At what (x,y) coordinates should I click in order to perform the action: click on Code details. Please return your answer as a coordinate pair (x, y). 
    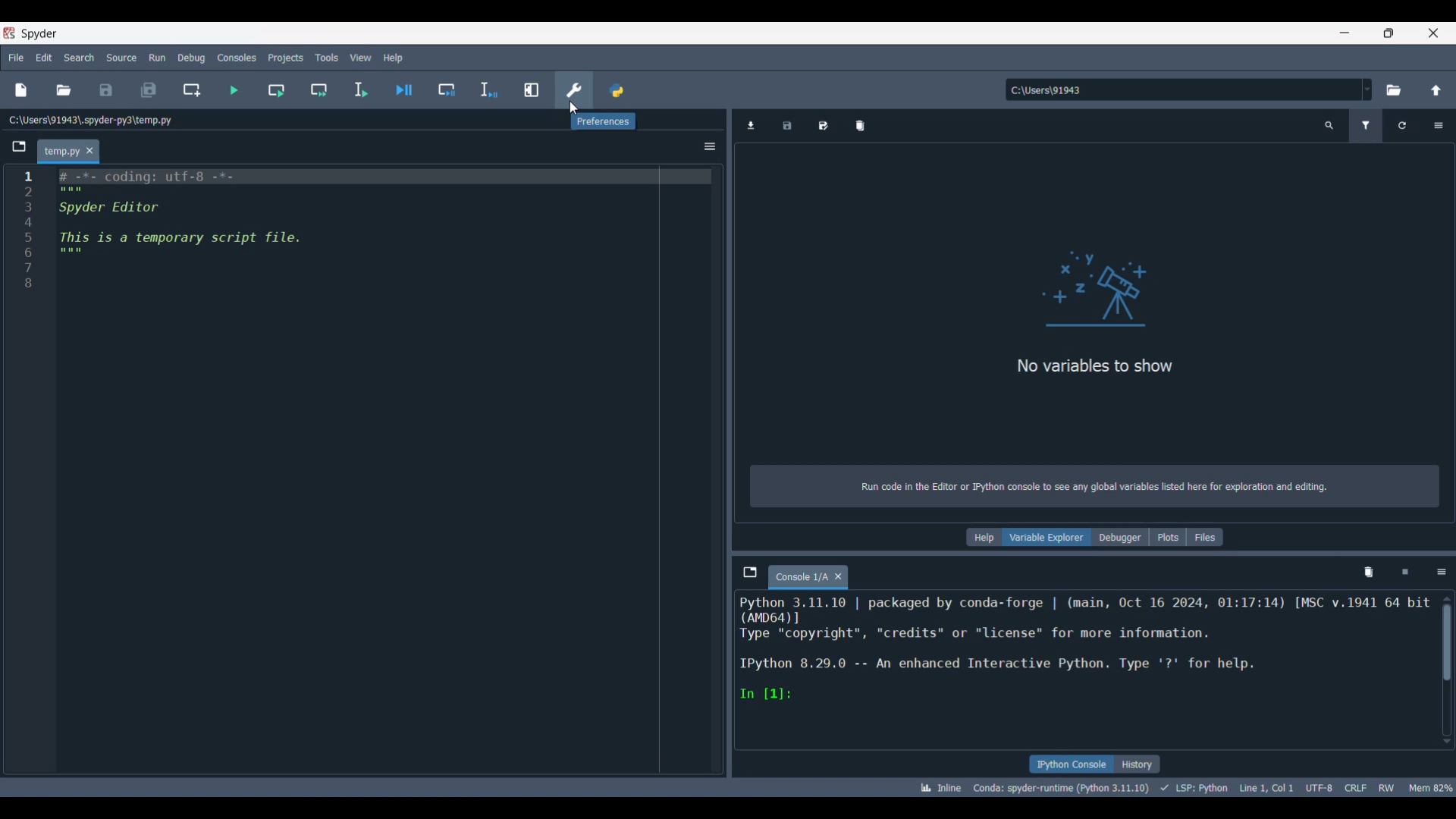
    Looking at the image, I should click on (1186, 788).